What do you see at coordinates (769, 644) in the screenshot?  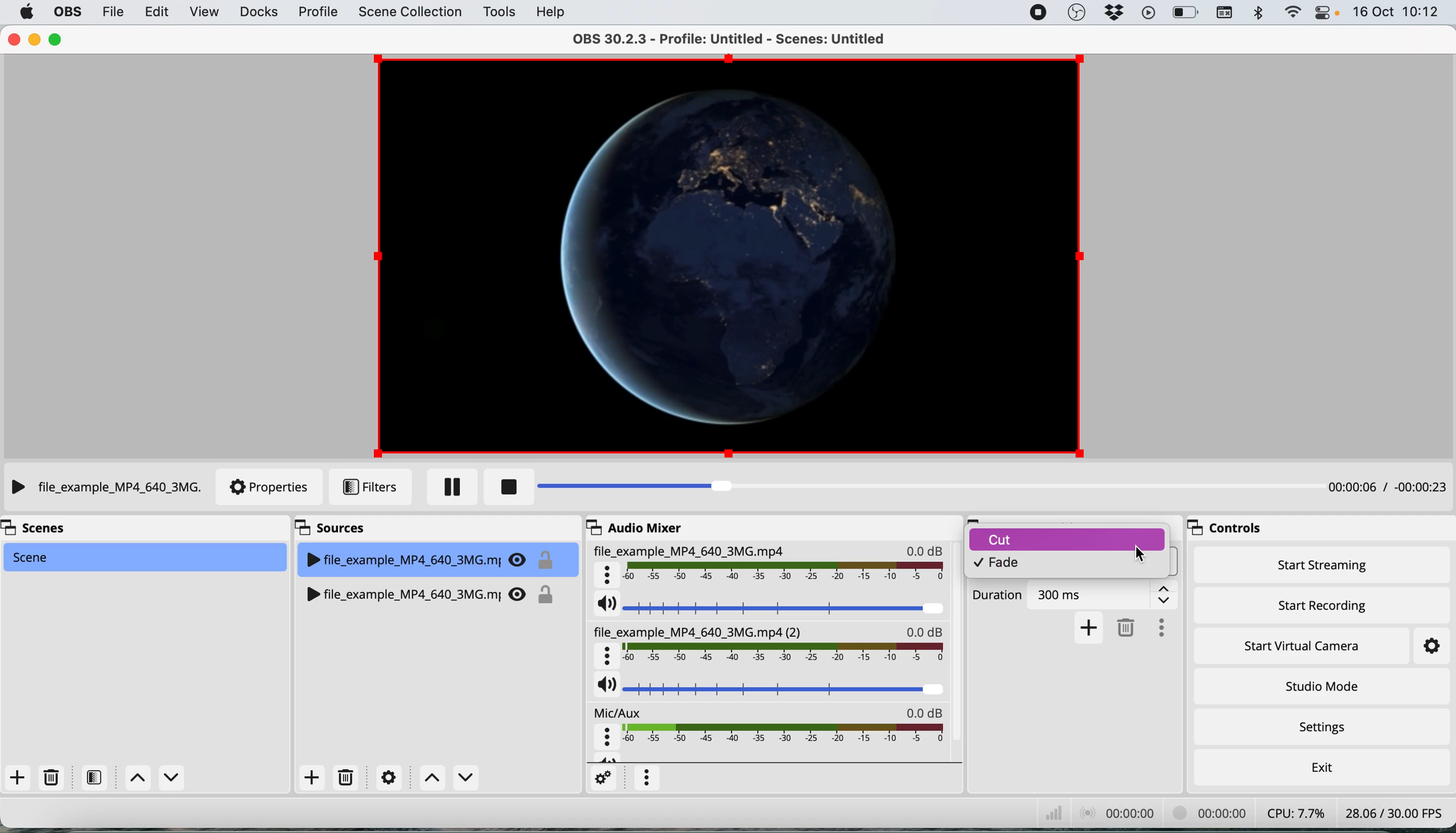 I see `file_example_MP4_640_3MG.mp4(2)` at bounding box center [769, 644].